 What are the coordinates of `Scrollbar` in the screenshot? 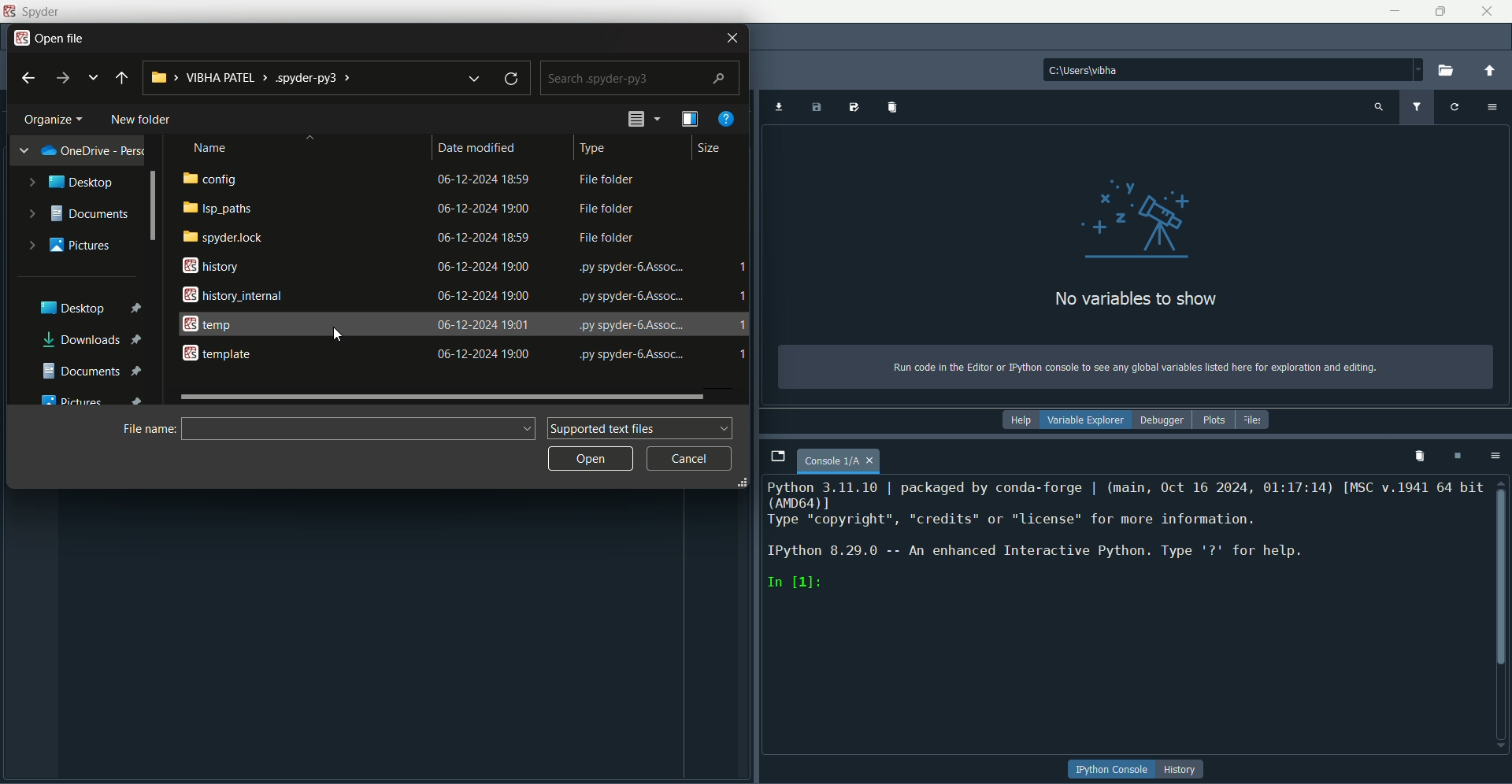 It's located at (153, 209).